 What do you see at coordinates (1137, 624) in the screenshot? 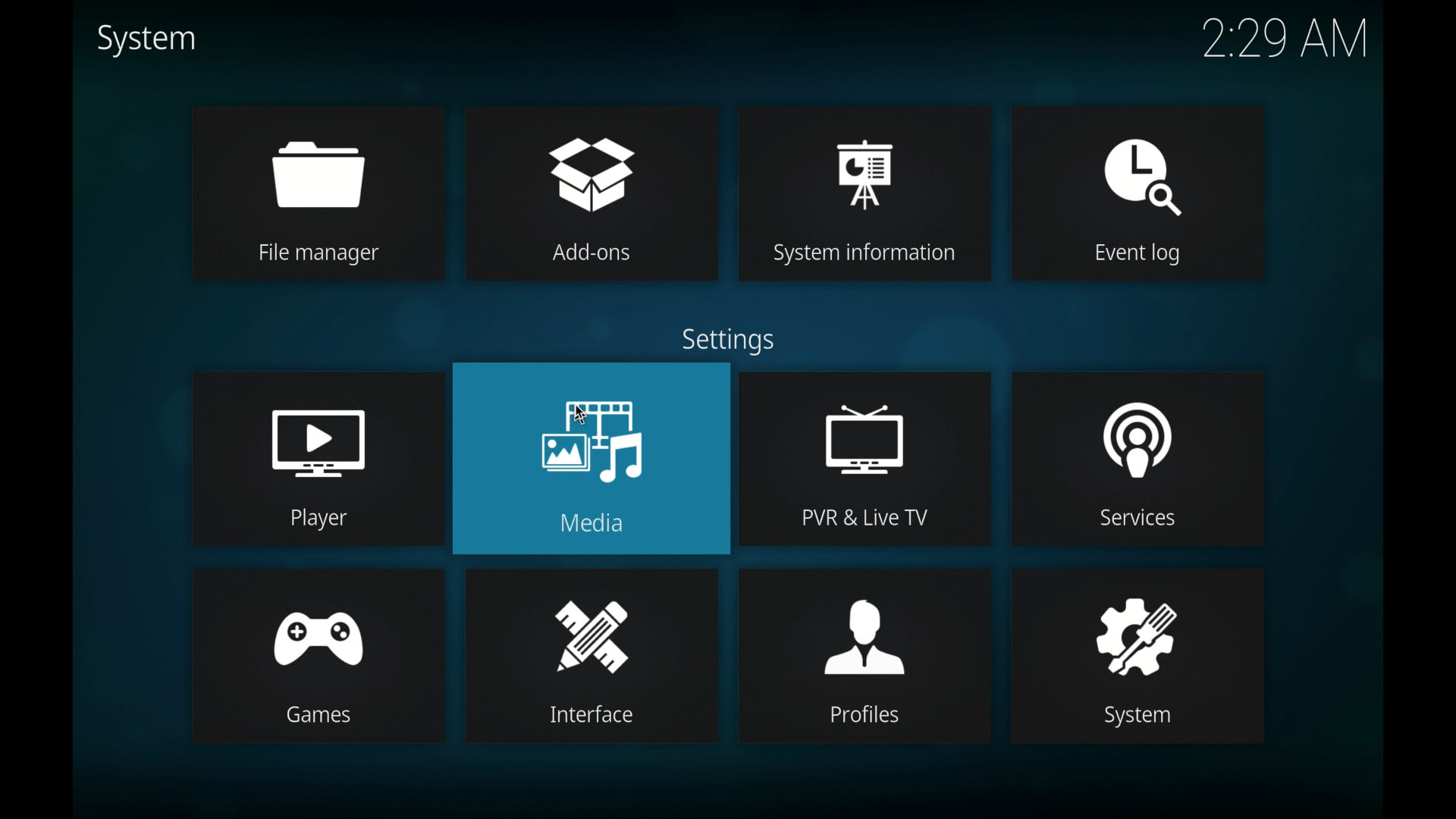
I see `system` at bounding box center [1137, 624].